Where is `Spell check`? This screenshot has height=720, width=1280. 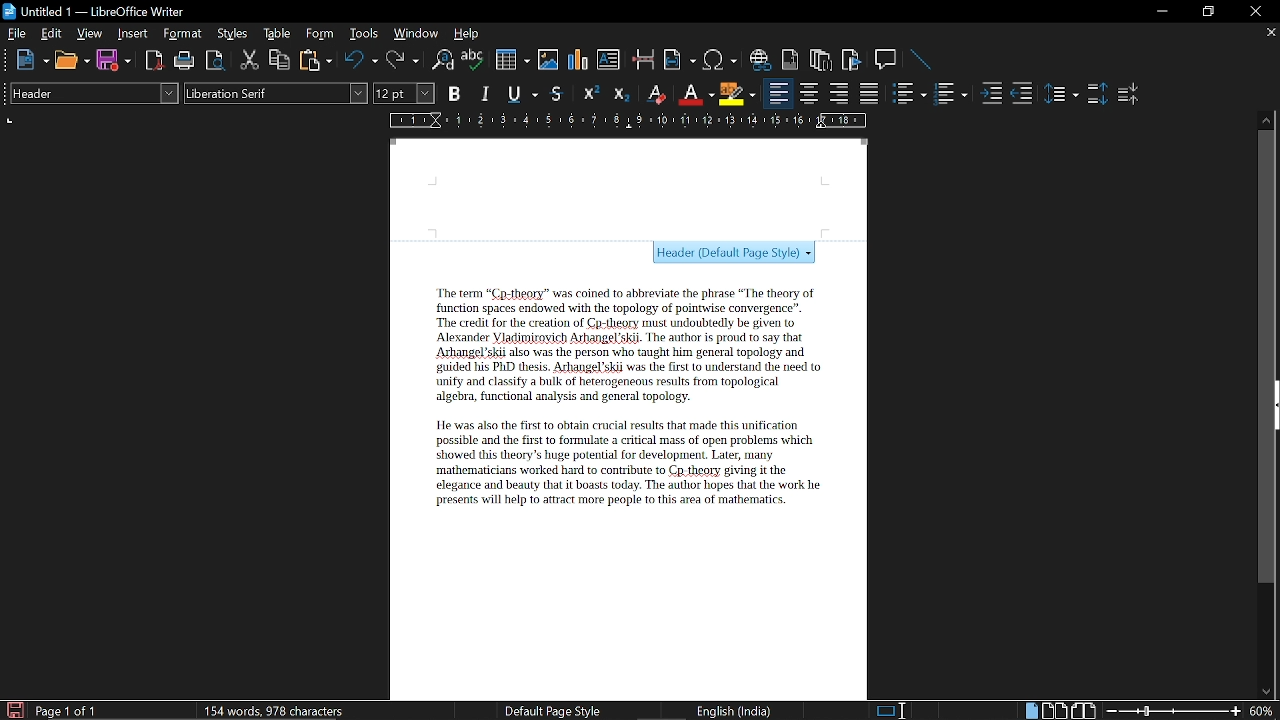 Spell check is located at coordinates (473, 60).